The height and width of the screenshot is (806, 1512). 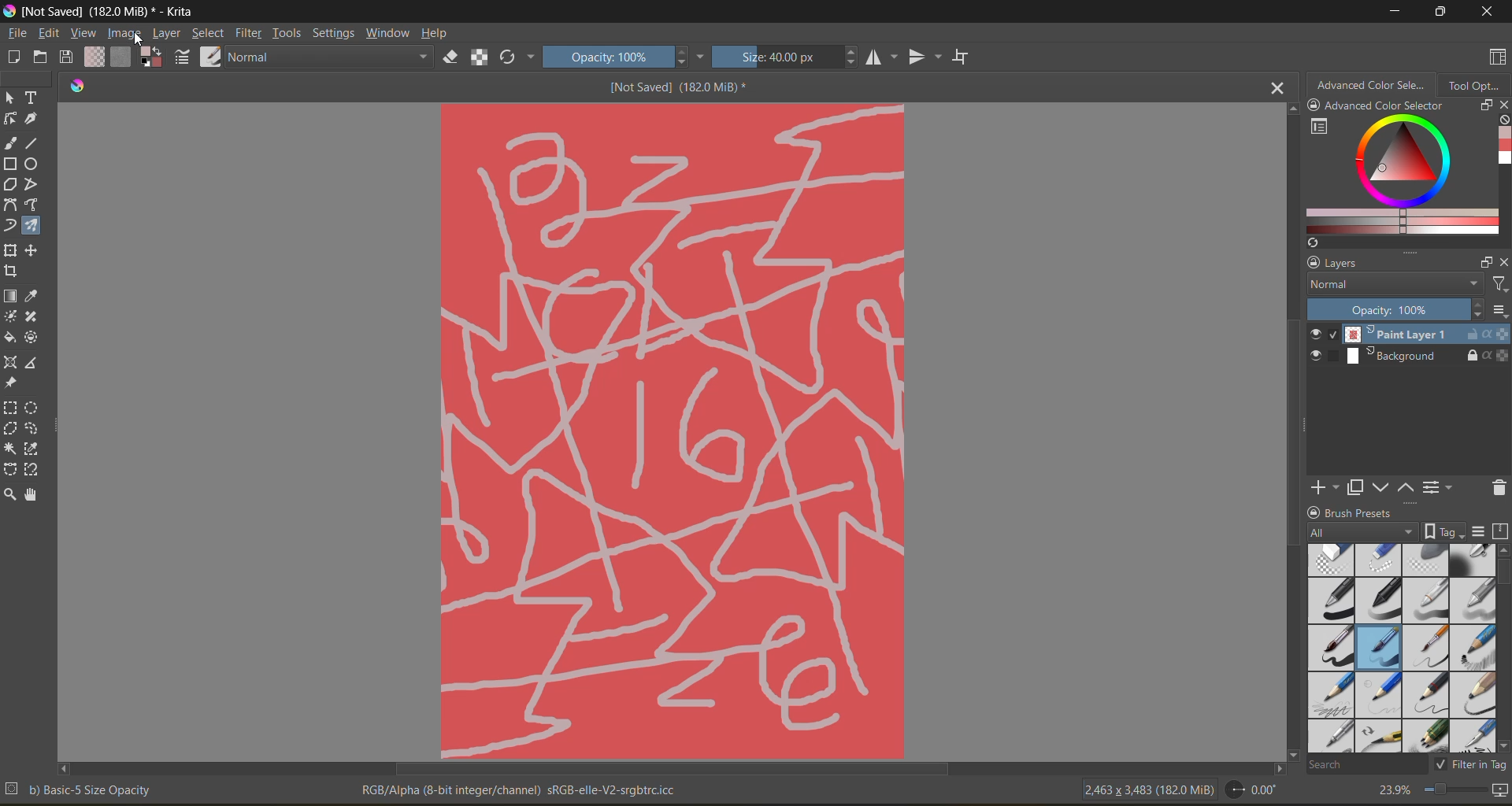 What do you see at coordinates (1376, 96) in the screenshot?
I see `advanced color selector` at bounding box center [1376, 96].